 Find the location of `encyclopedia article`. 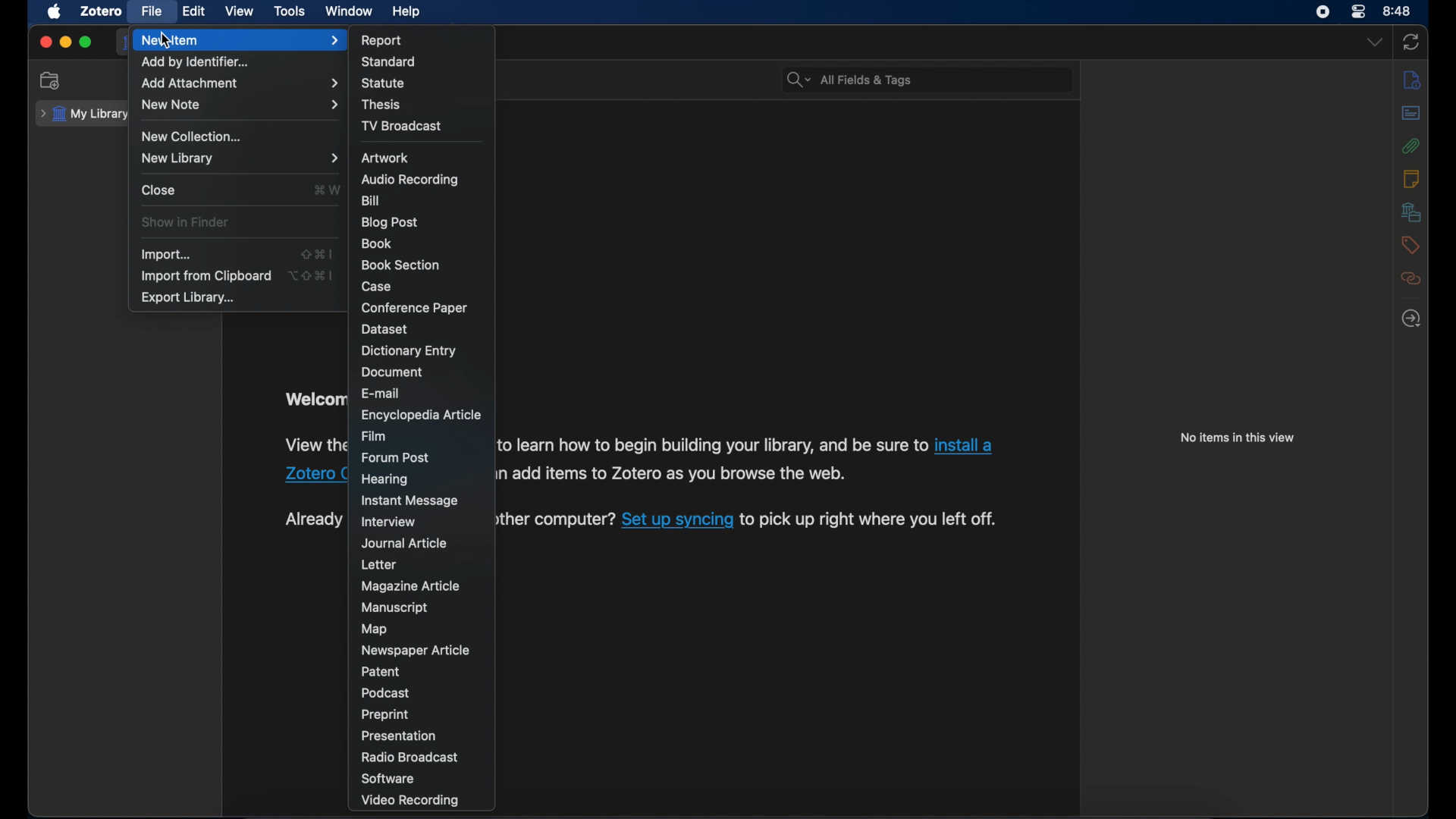

encyclopedia article is located at coordinates (422, 415).